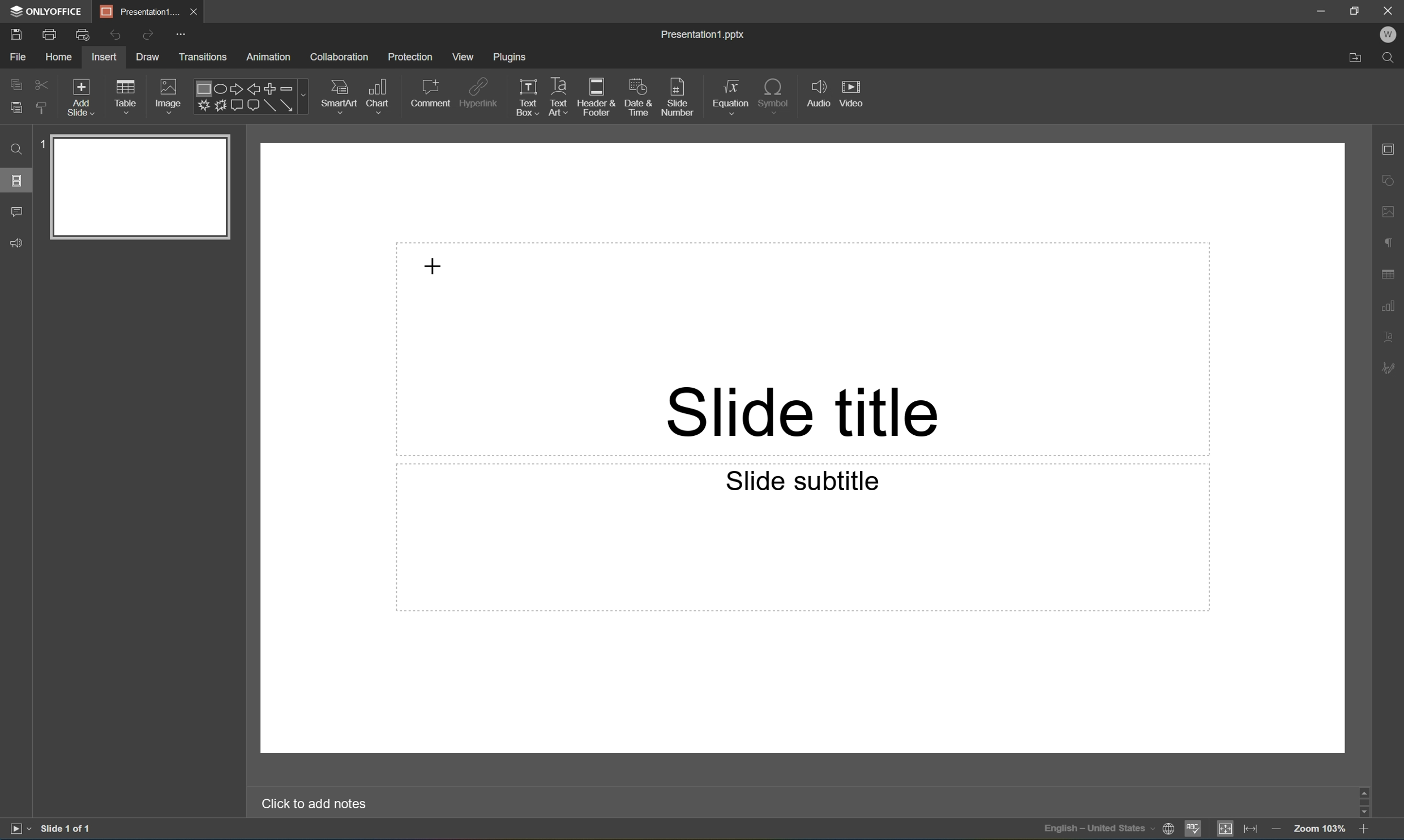 This screenshot has width=1404, height=840. I want to click on Slide 1 of 1, so click(67, 828).